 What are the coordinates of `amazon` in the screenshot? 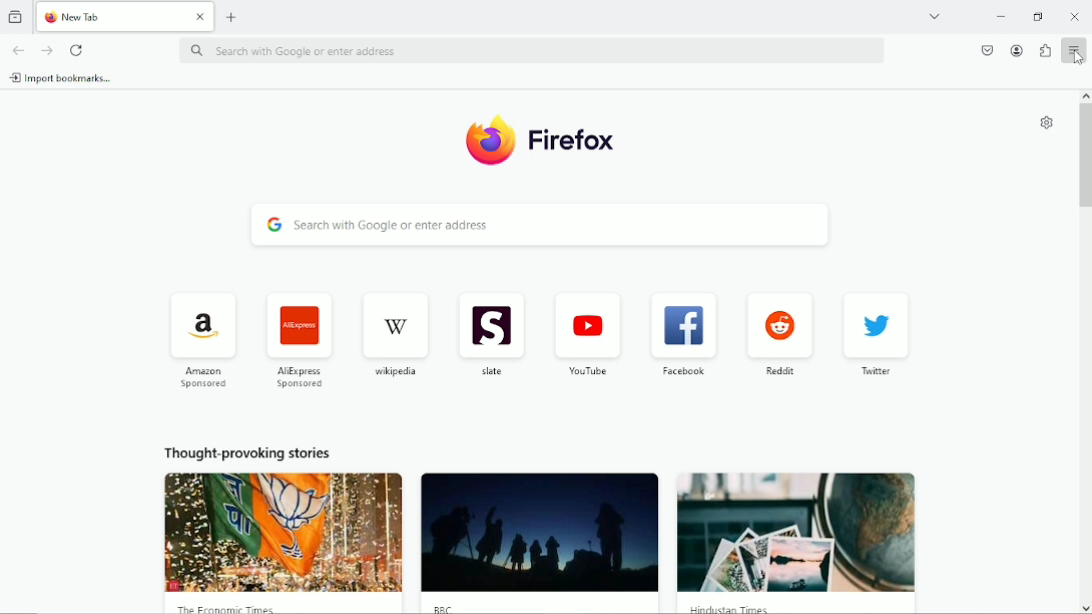 It's located at (201, 317).